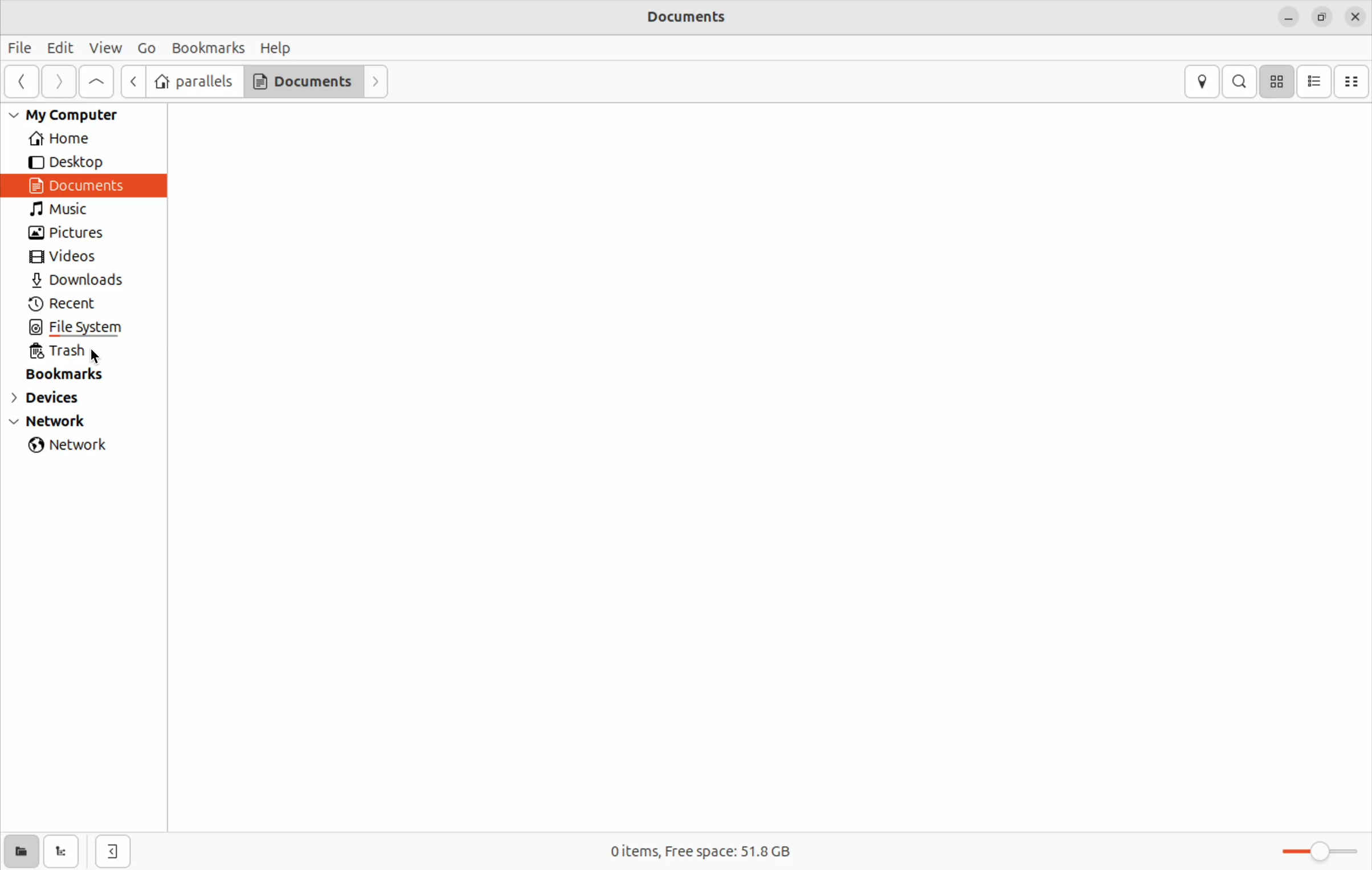 Image resolution: width=1372 pixels, height=870 pixels. Describe the element at coordinates (194, 81) in the screenshot. I see `paralles` at that location.